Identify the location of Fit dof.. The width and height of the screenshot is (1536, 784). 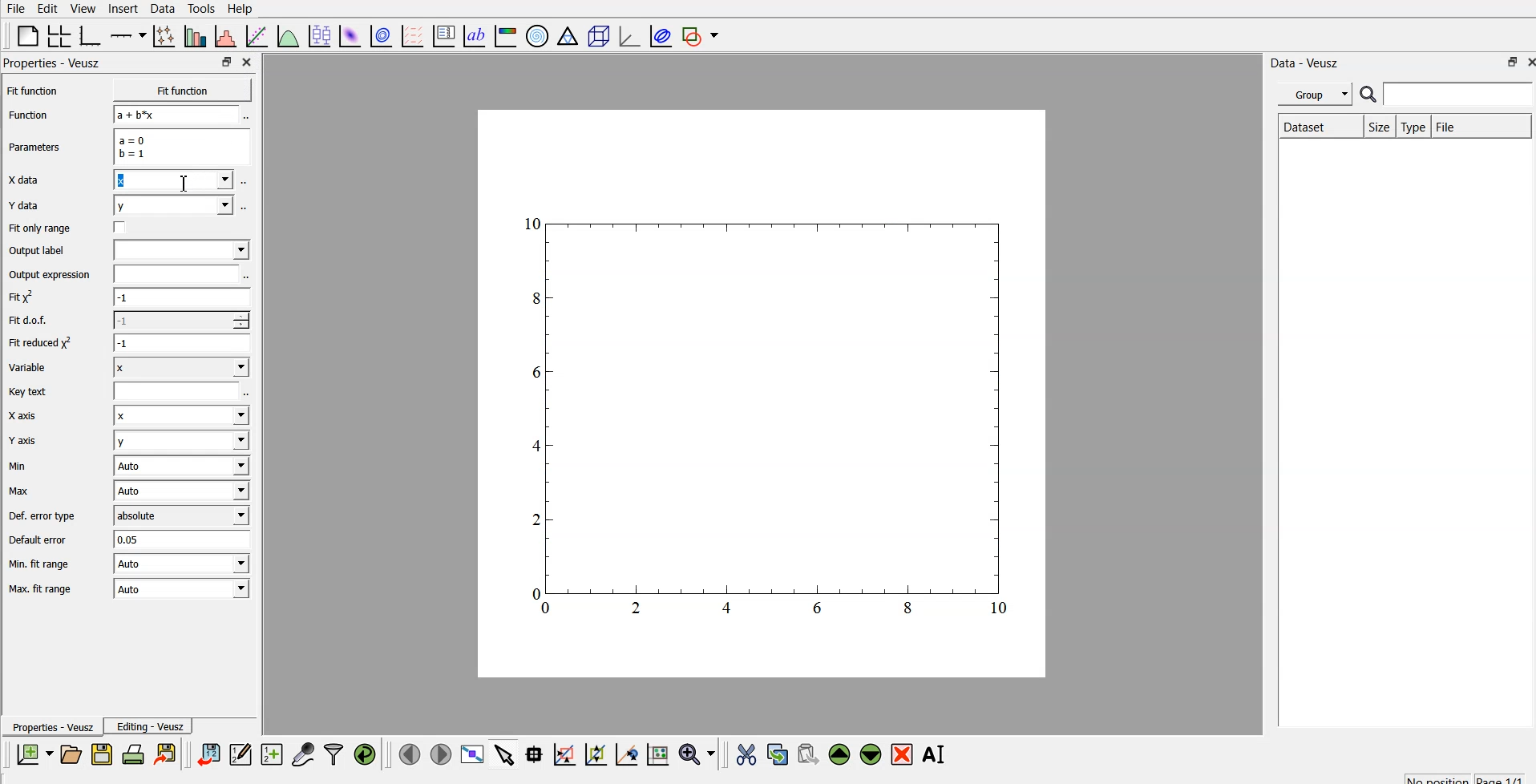
(40, 321).